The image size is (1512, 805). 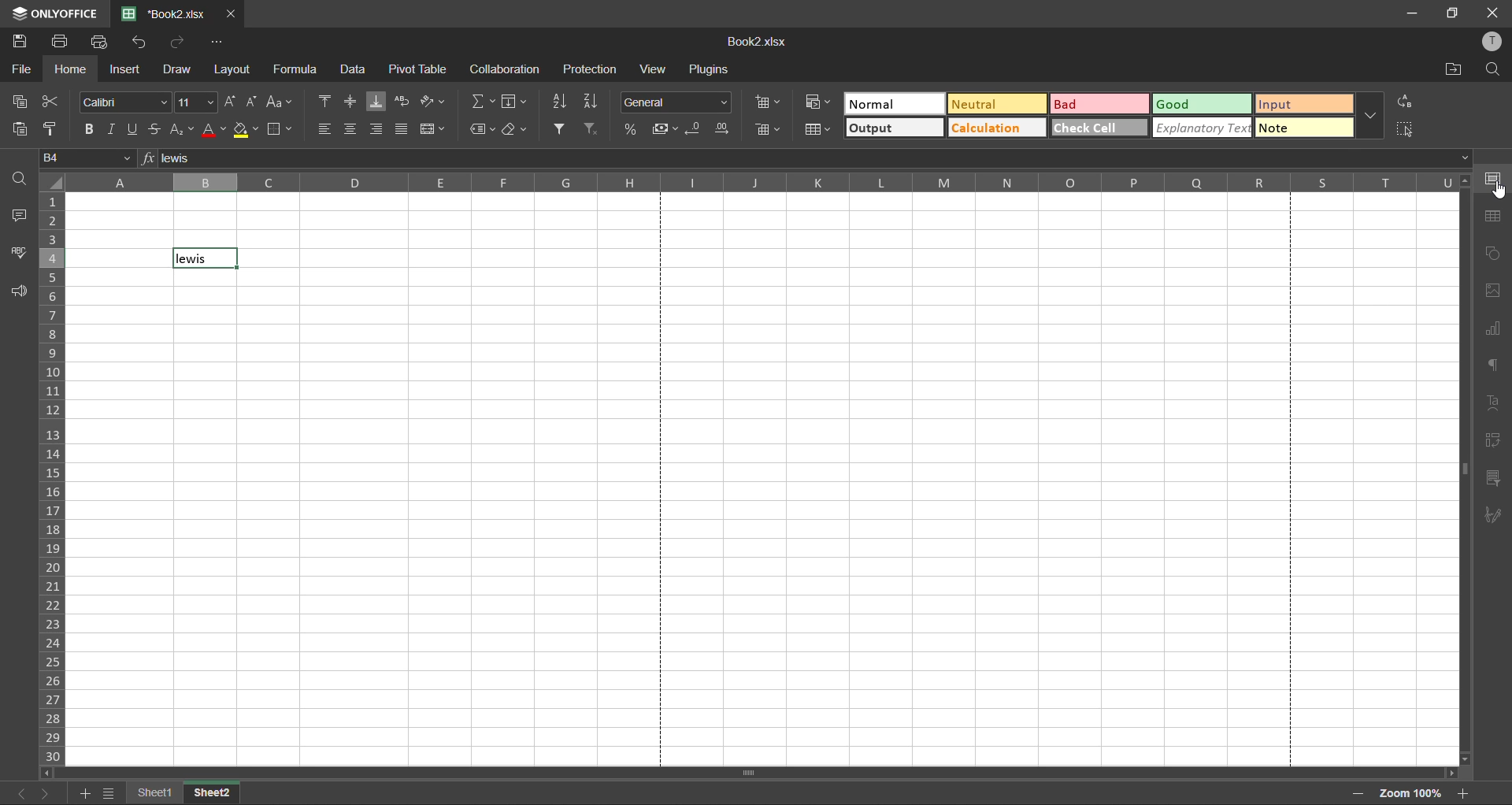 What do you see at coordinates (816, 129) in the screenshot?
I see `format as table` at bounding box center [816, 129].